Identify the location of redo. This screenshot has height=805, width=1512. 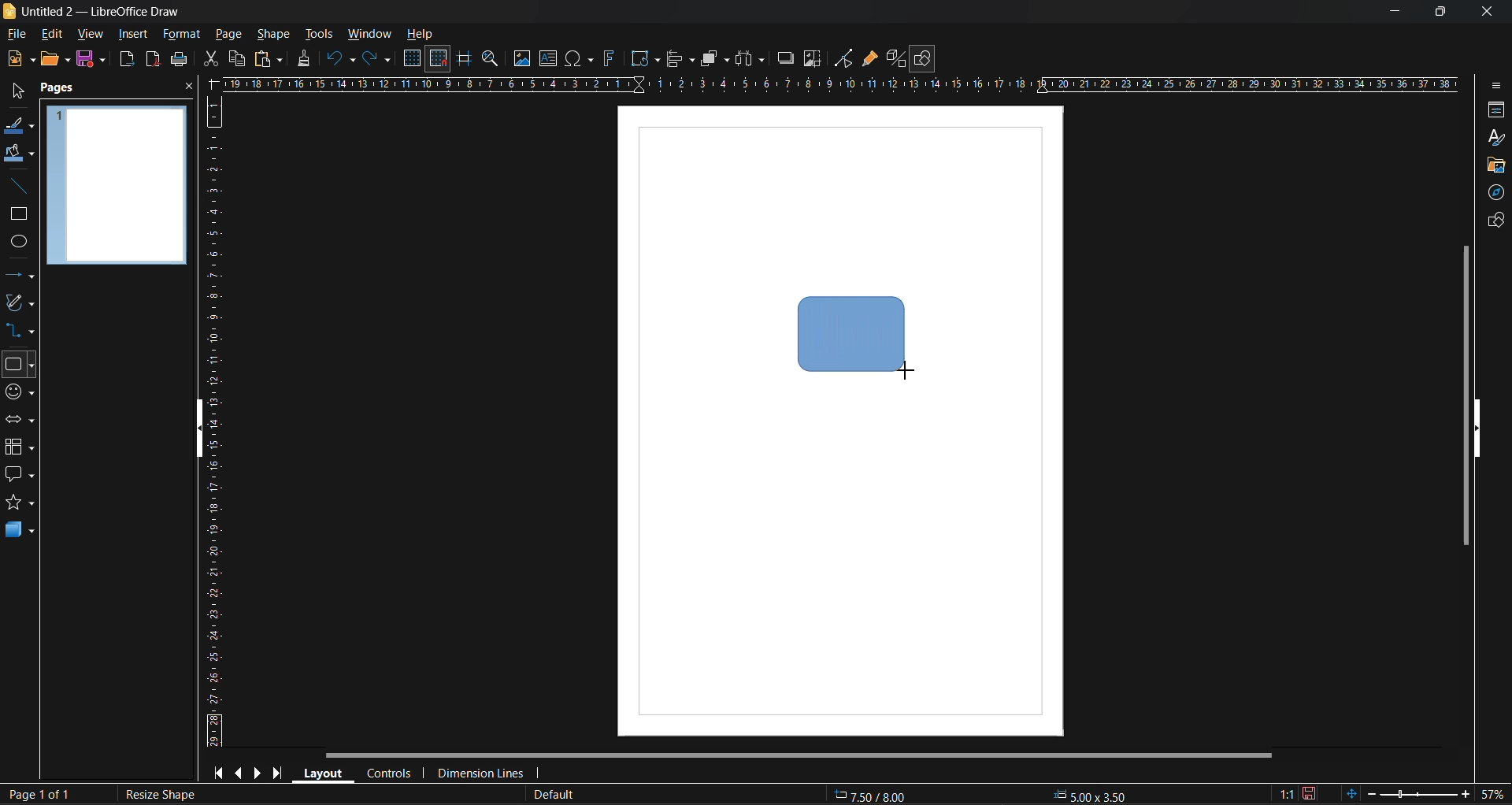
(377, 60).